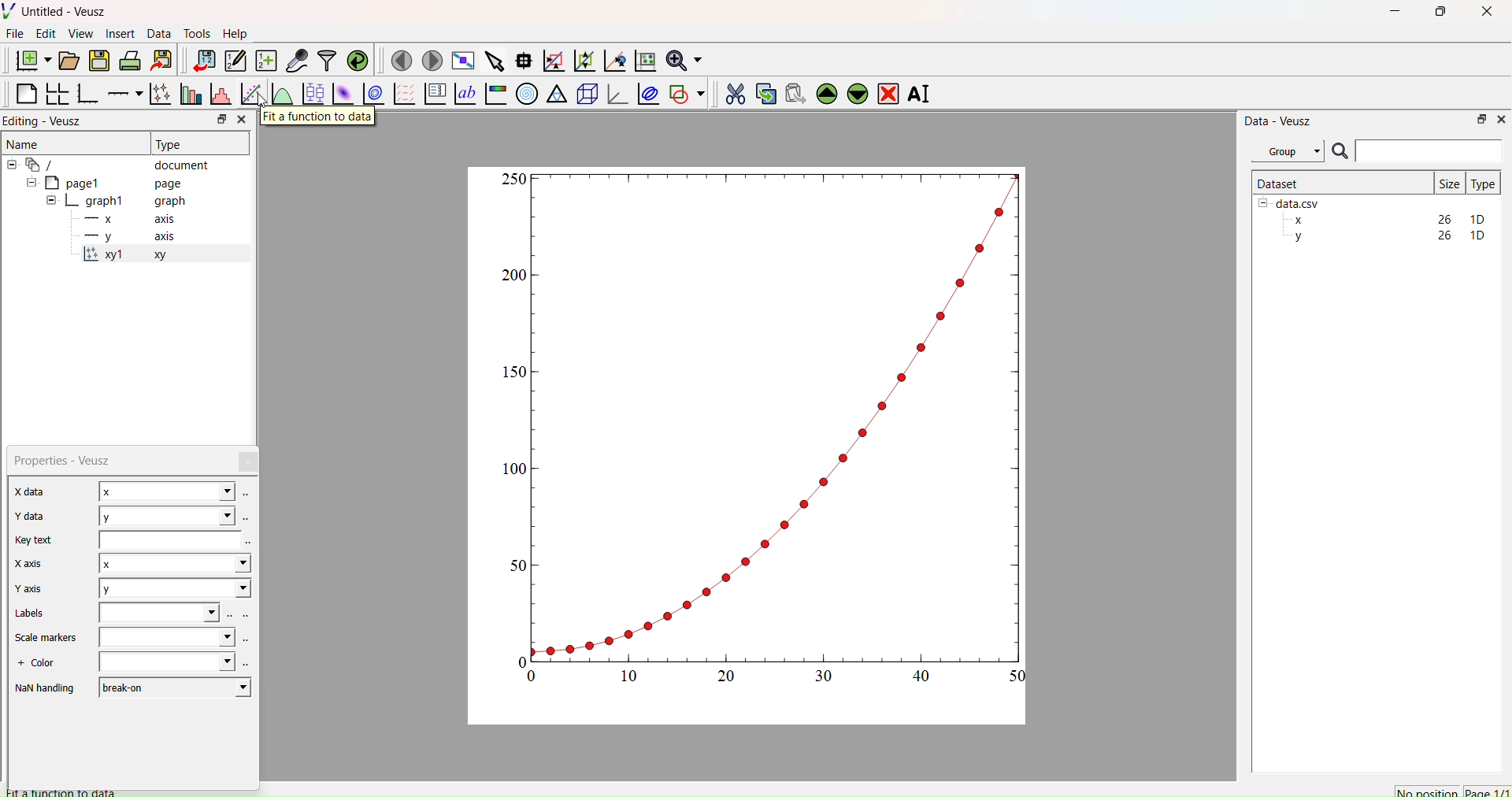 The width and height of the screenshot is (1512, 797). What do you see at coordinates (31, 494) in the screenshot?
I see `Notes` at bounding box center [31, 494].